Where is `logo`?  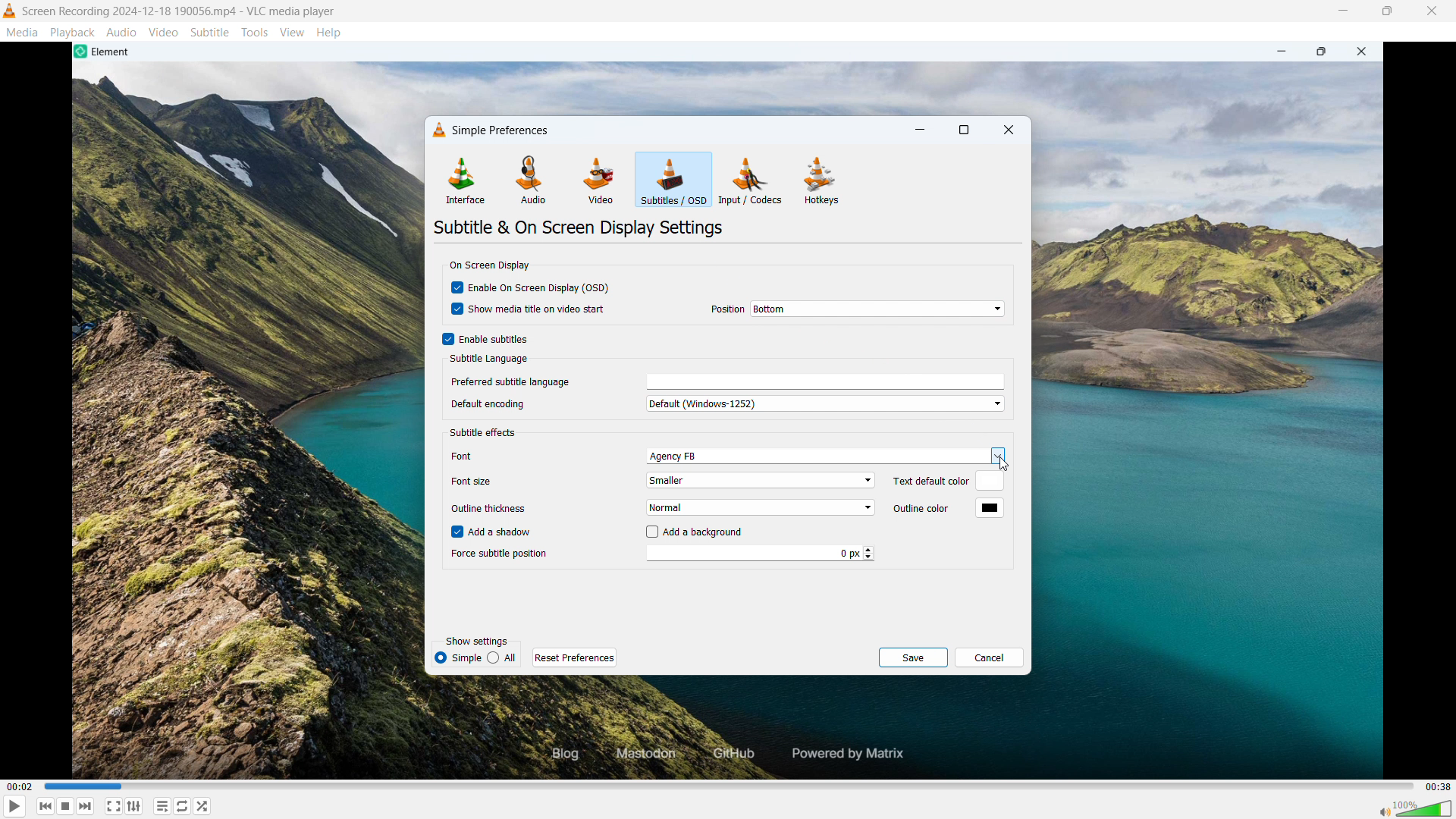 logo is located at coordinates (10, 11).